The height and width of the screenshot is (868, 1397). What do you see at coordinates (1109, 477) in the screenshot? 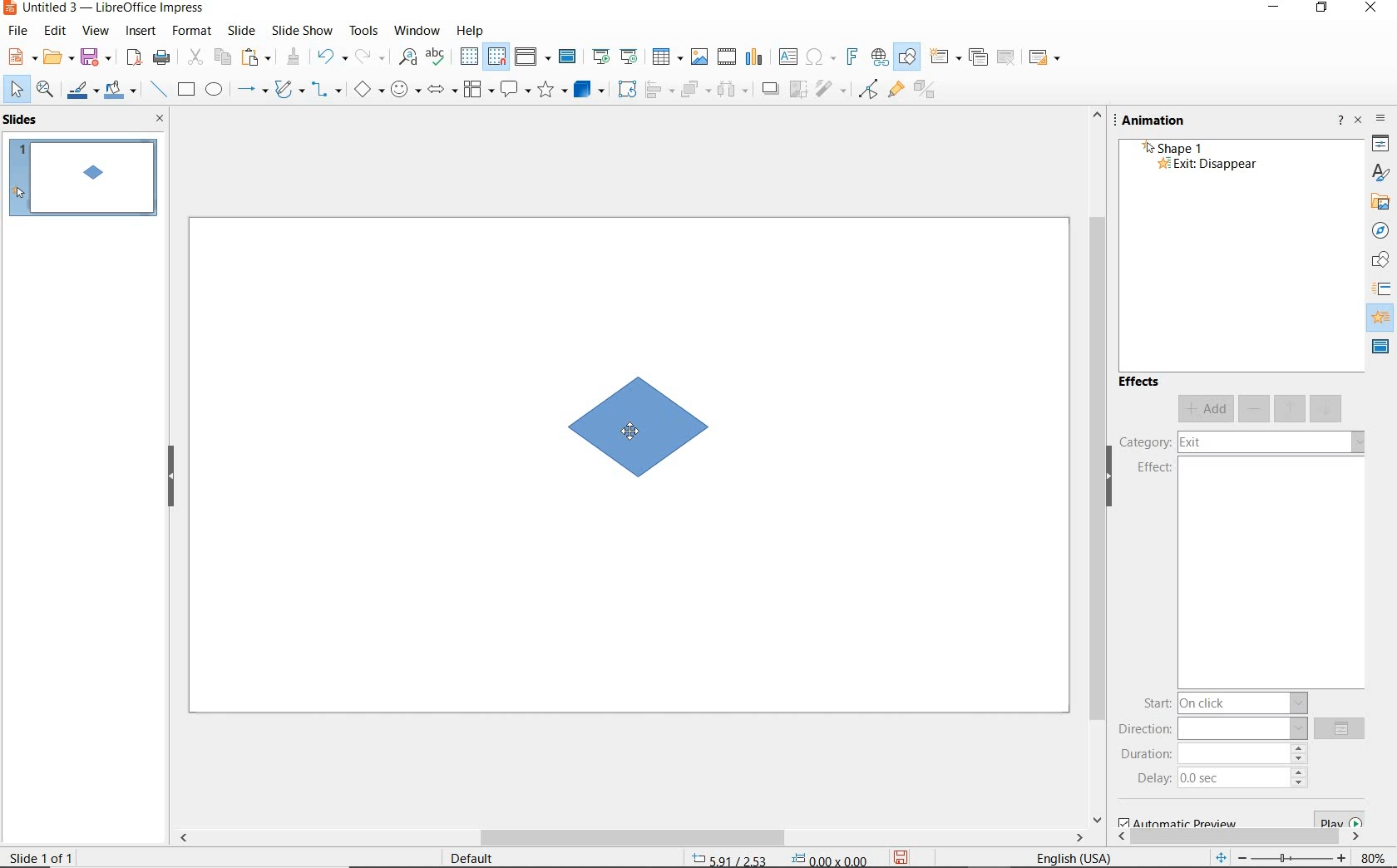
I see `hide` at bounding box center [1109, 477].